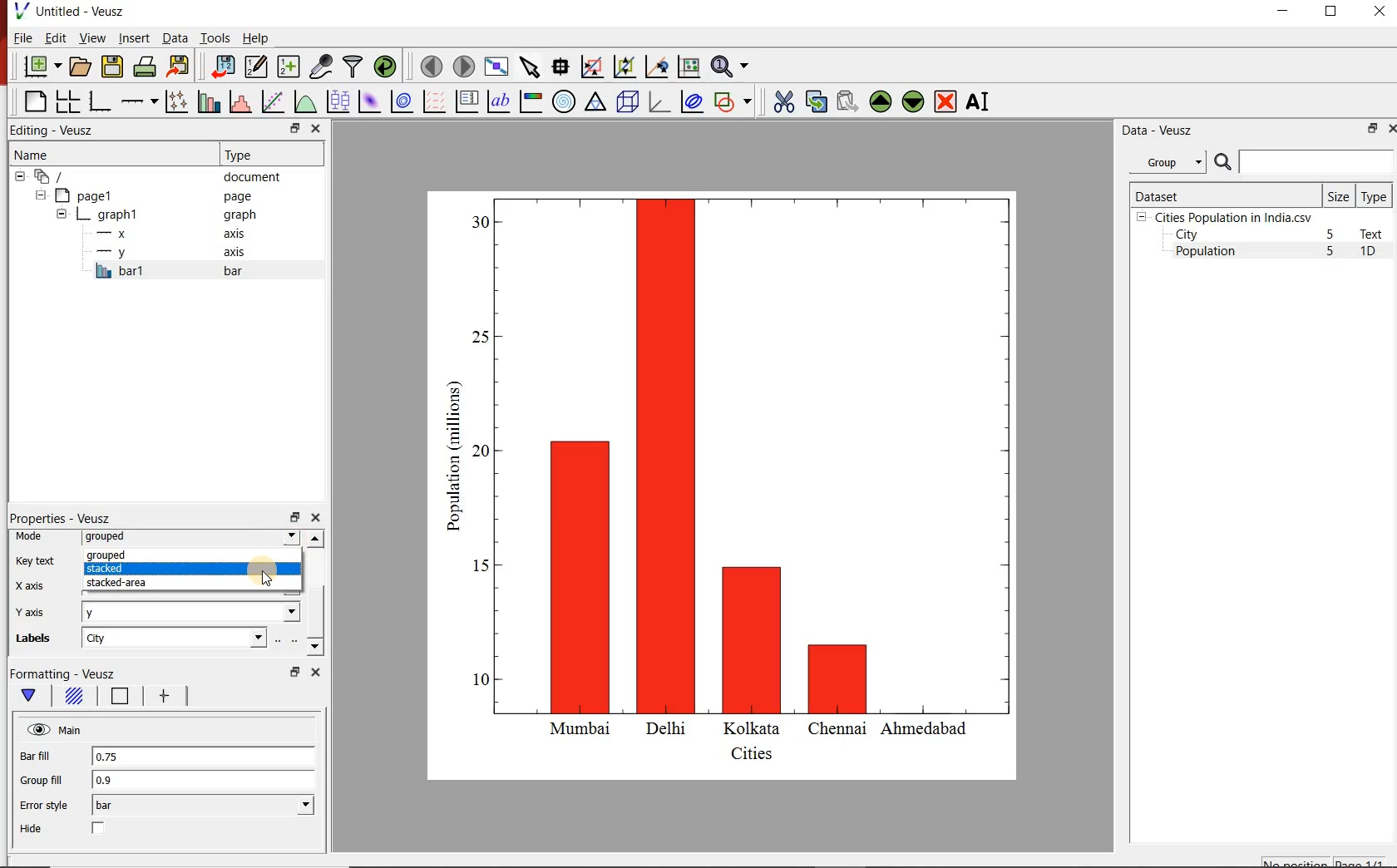 This screenshot has height=868, width=1397. I want to click on plot bar charts, so click(206, 101).